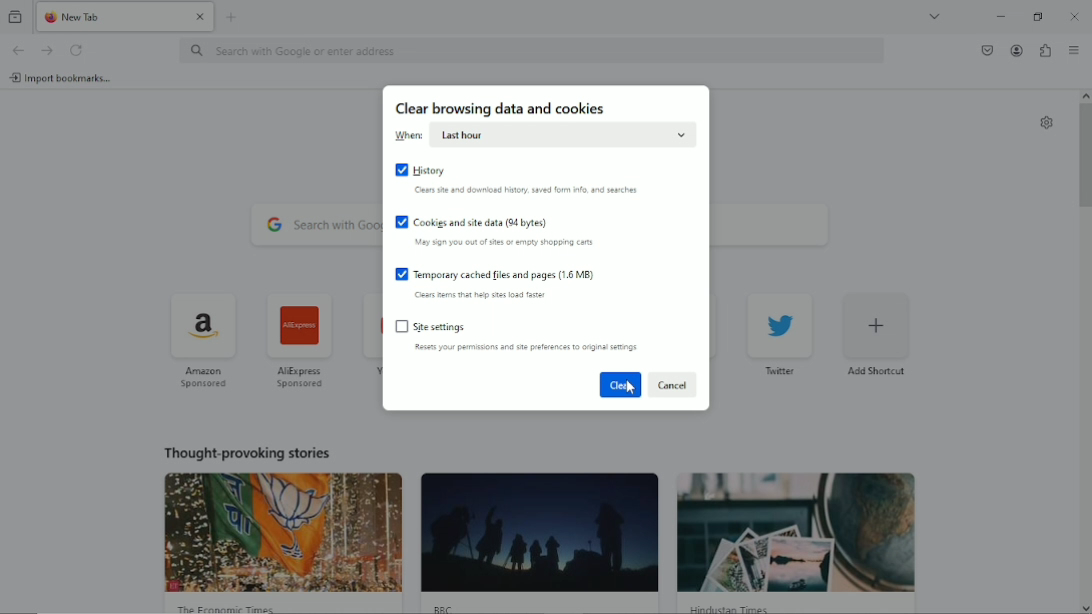 Image resolution: width=1092 pixels, height=614 pixels. I want to click on close, so click(200, 16).